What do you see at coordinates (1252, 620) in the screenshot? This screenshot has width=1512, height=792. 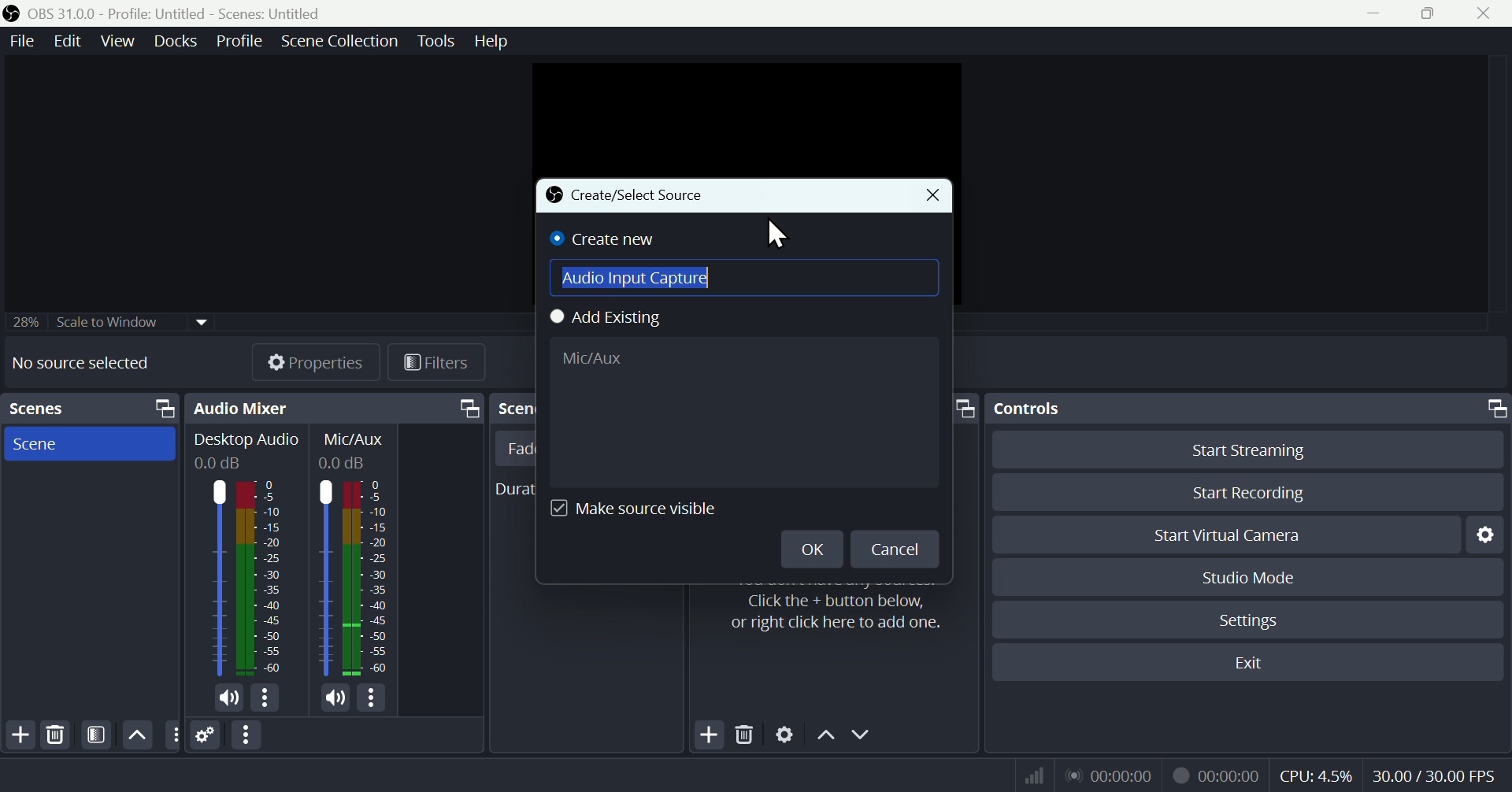 I see `Settings` at bounding box center [1252, 620].